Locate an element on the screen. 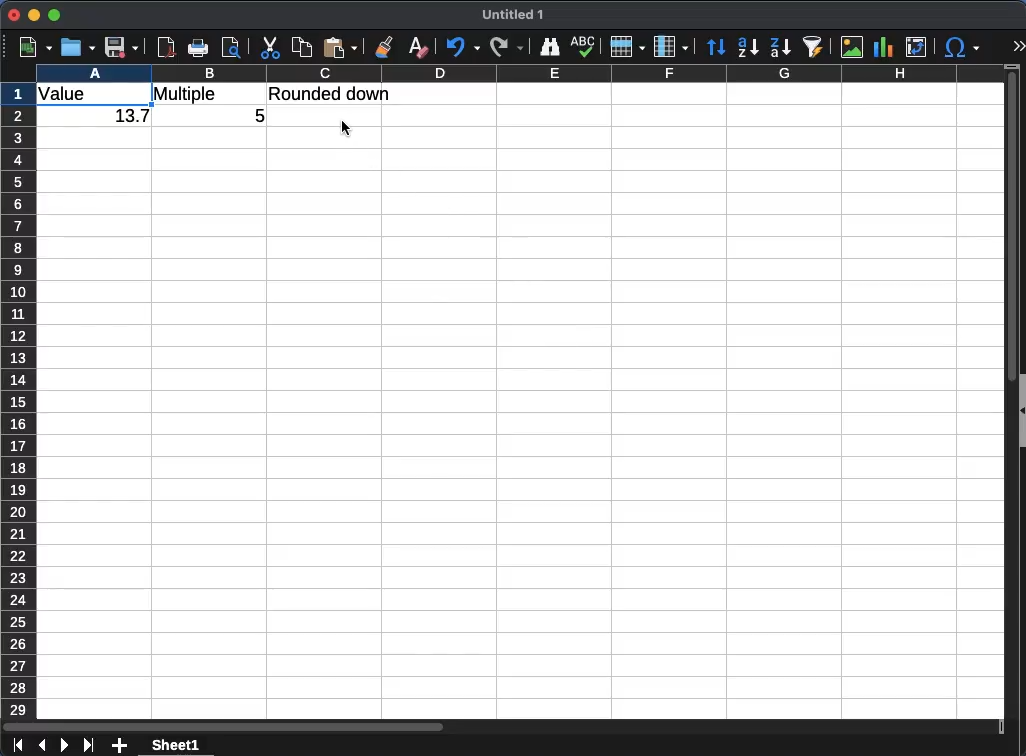  collapse is located at coordinates (1020, 410).